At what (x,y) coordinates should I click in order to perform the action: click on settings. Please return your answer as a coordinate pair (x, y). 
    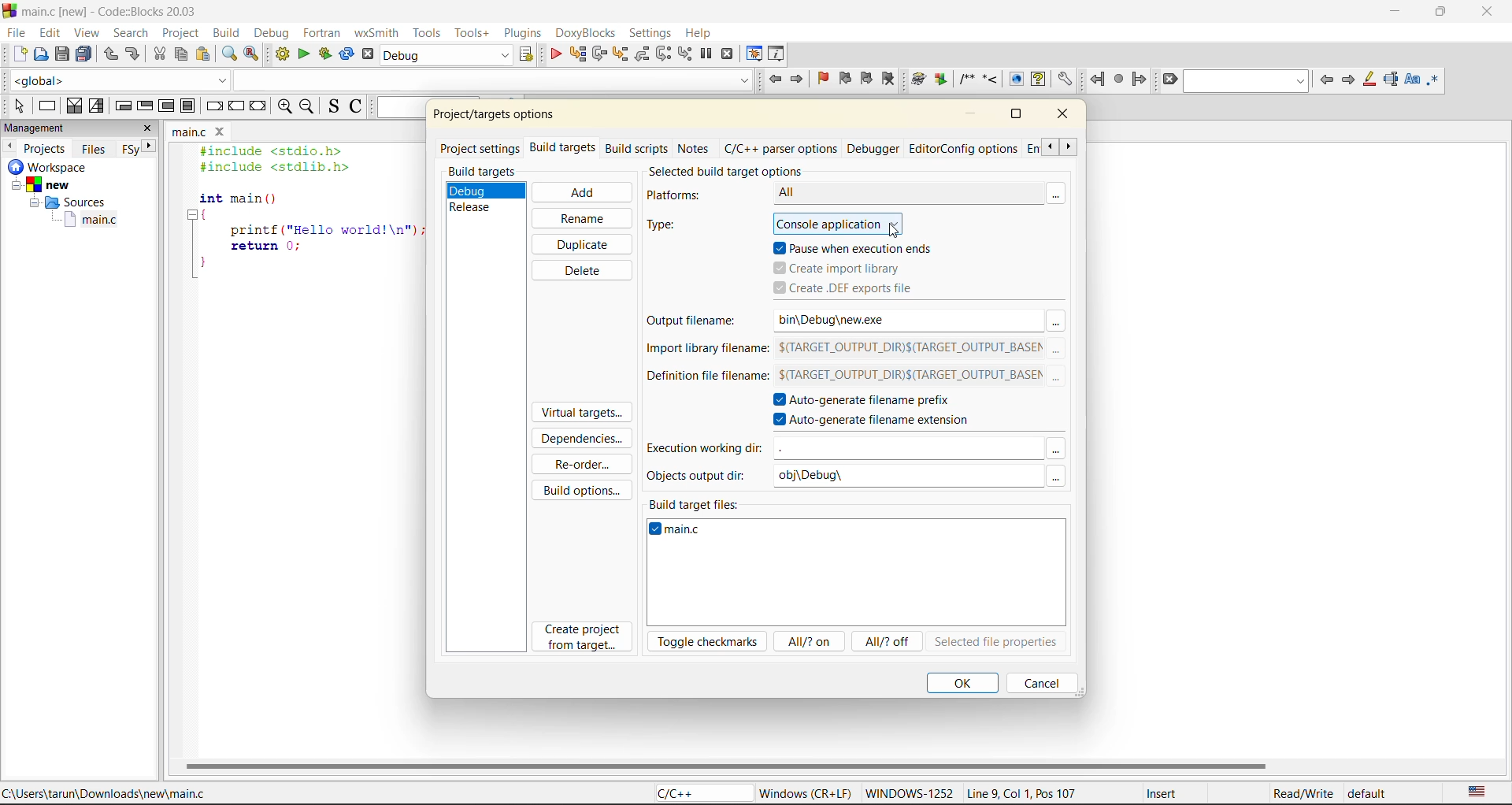
    Looking at the image, I should click on (651, 34).